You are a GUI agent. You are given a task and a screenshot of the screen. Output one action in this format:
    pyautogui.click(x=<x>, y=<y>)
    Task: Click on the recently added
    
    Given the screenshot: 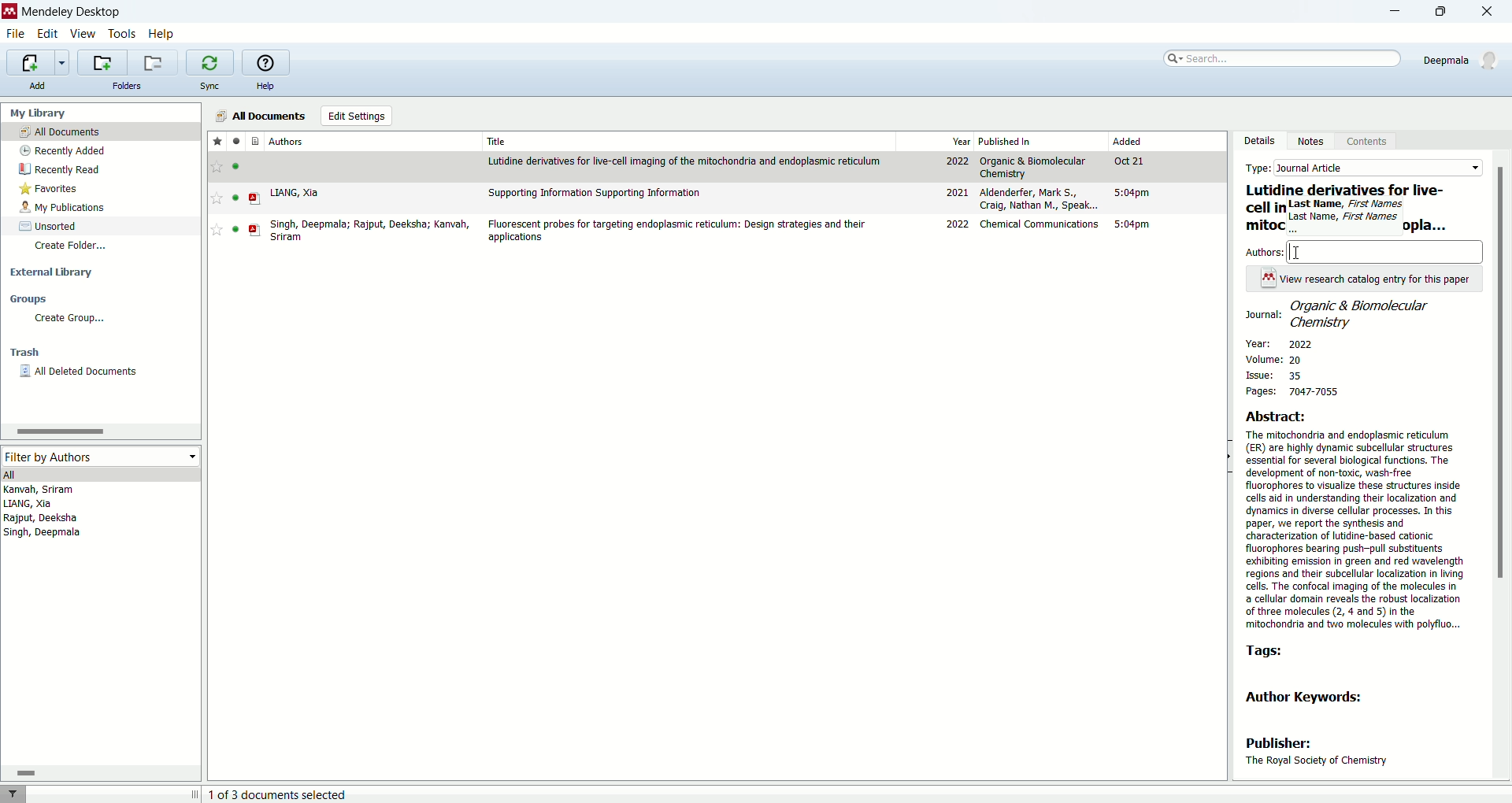 What is the action you would take?
    pyautogui.click(x=61, y=152)
    